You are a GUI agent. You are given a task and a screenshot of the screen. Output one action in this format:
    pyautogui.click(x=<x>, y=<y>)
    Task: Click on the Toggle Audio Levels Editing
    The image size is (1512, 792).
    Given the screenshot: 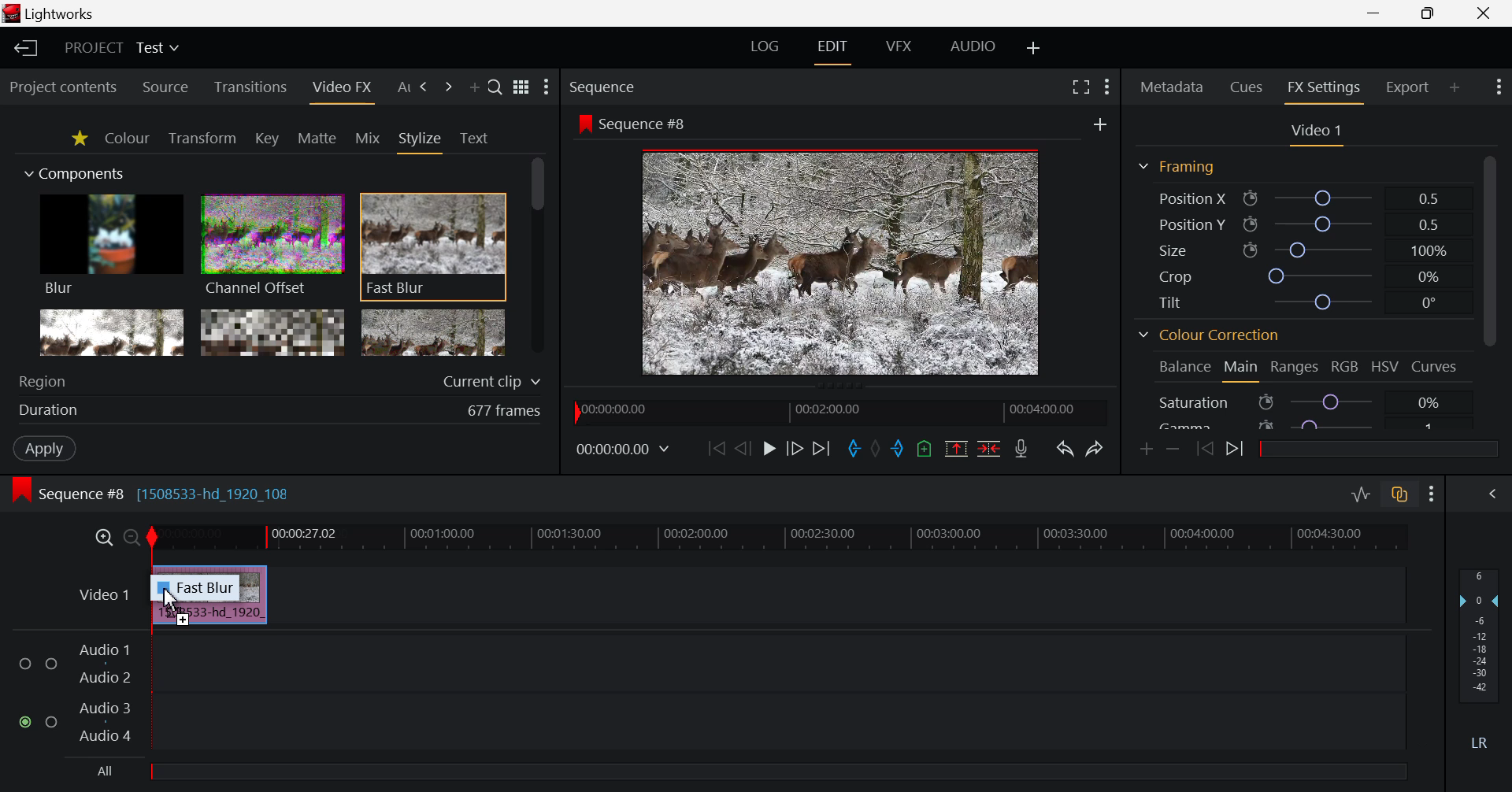 What is the action you would take?
    pyautogui.click(x=1362, y=494)
    